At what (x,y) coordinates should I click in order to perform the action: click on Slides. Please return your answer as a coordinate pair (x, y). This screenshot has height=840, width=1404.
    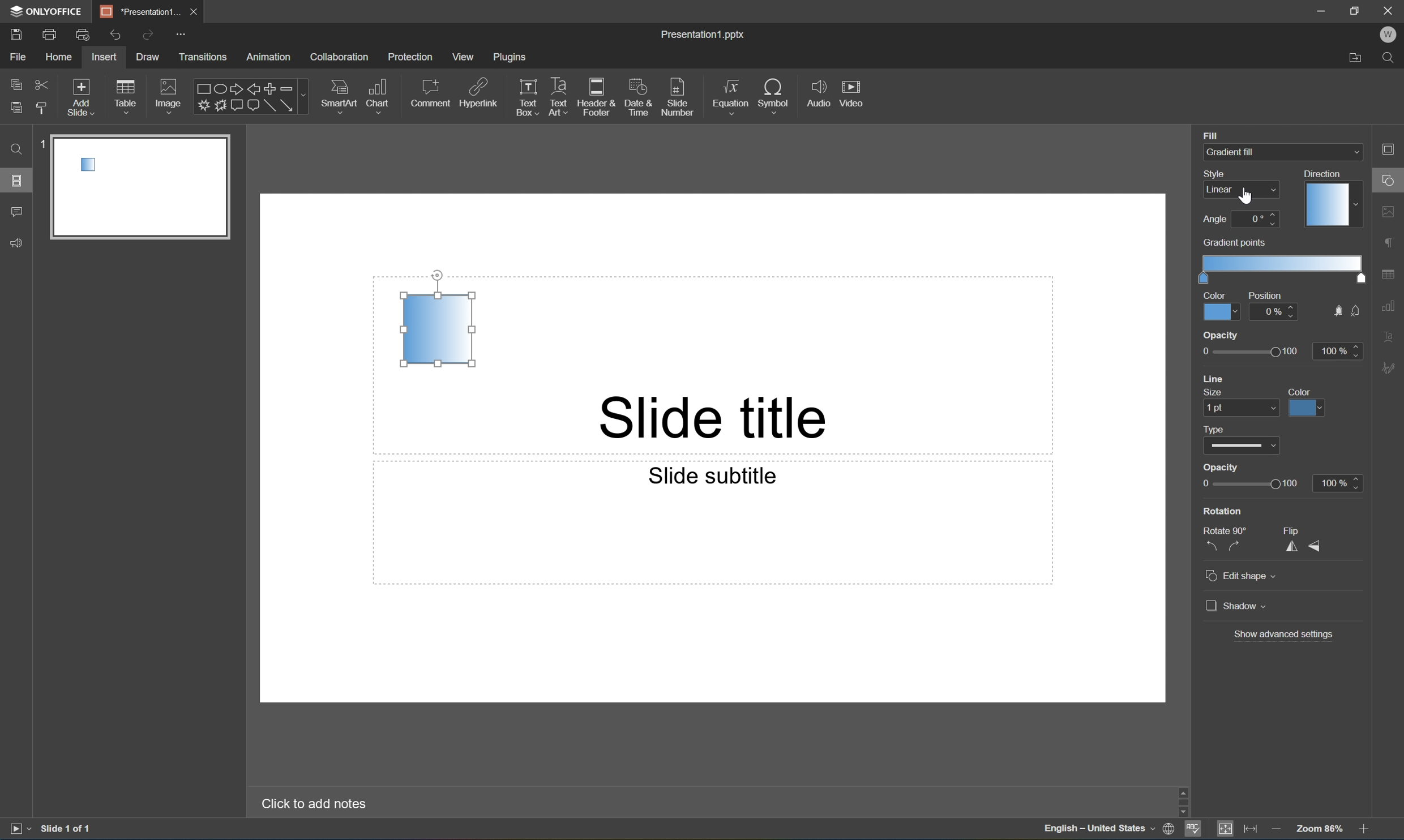
    Looking at the image, I should click on (16, 179).